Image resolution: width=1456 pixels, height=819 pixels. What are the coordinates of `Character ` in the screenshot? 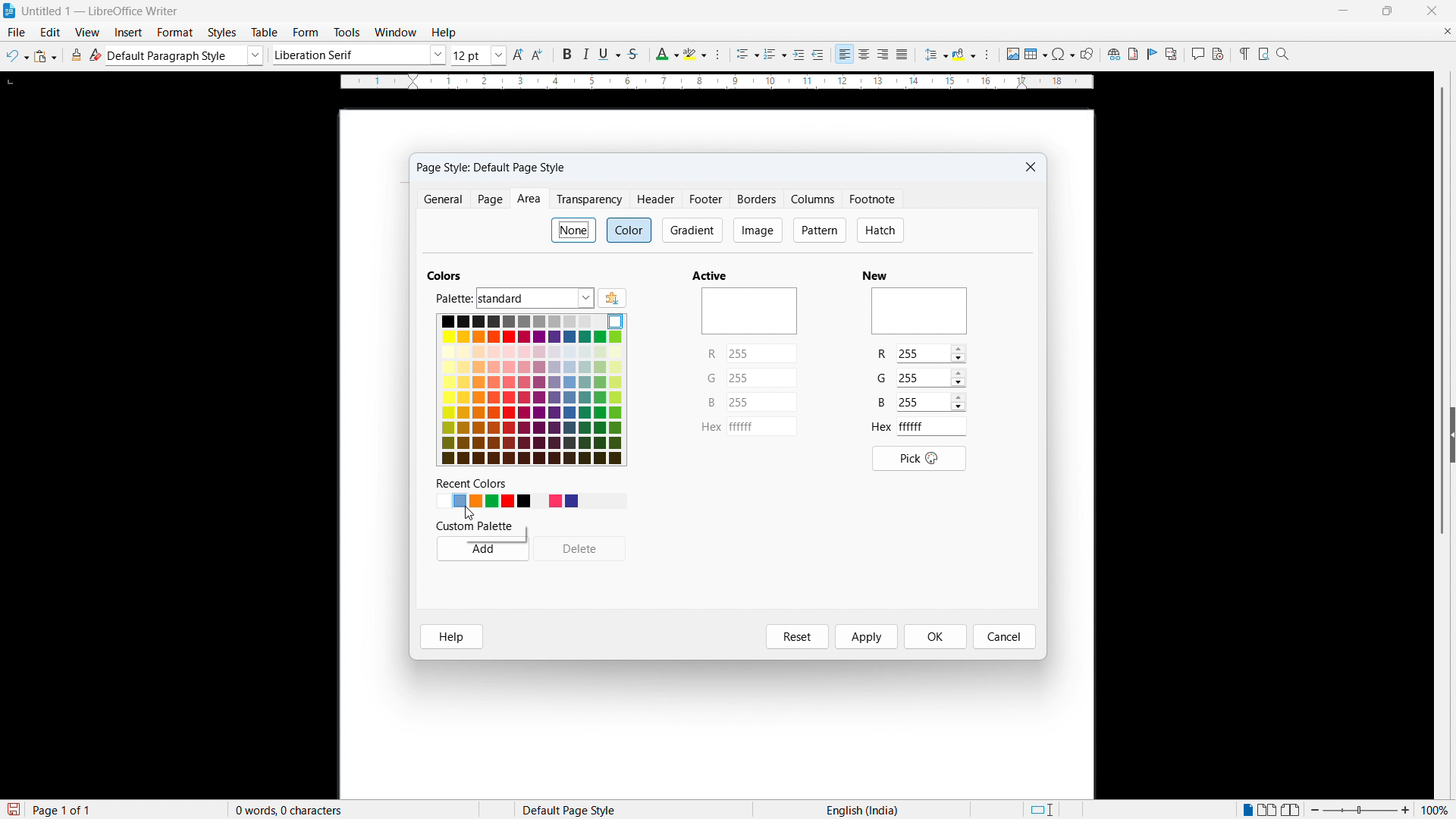 It's located at (722, 55).